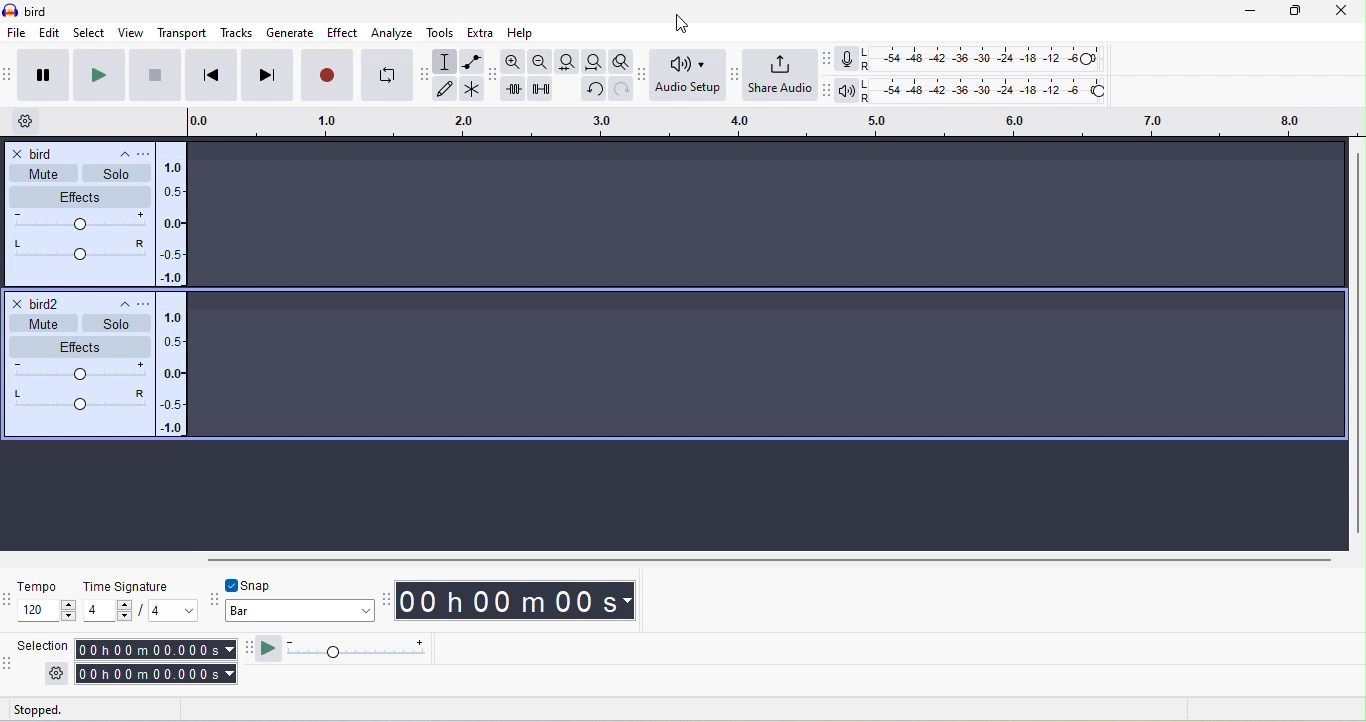  What do you see at coordinates (45, 175) in the screenshot?
I see `mute` at bounding box center [45, 175].